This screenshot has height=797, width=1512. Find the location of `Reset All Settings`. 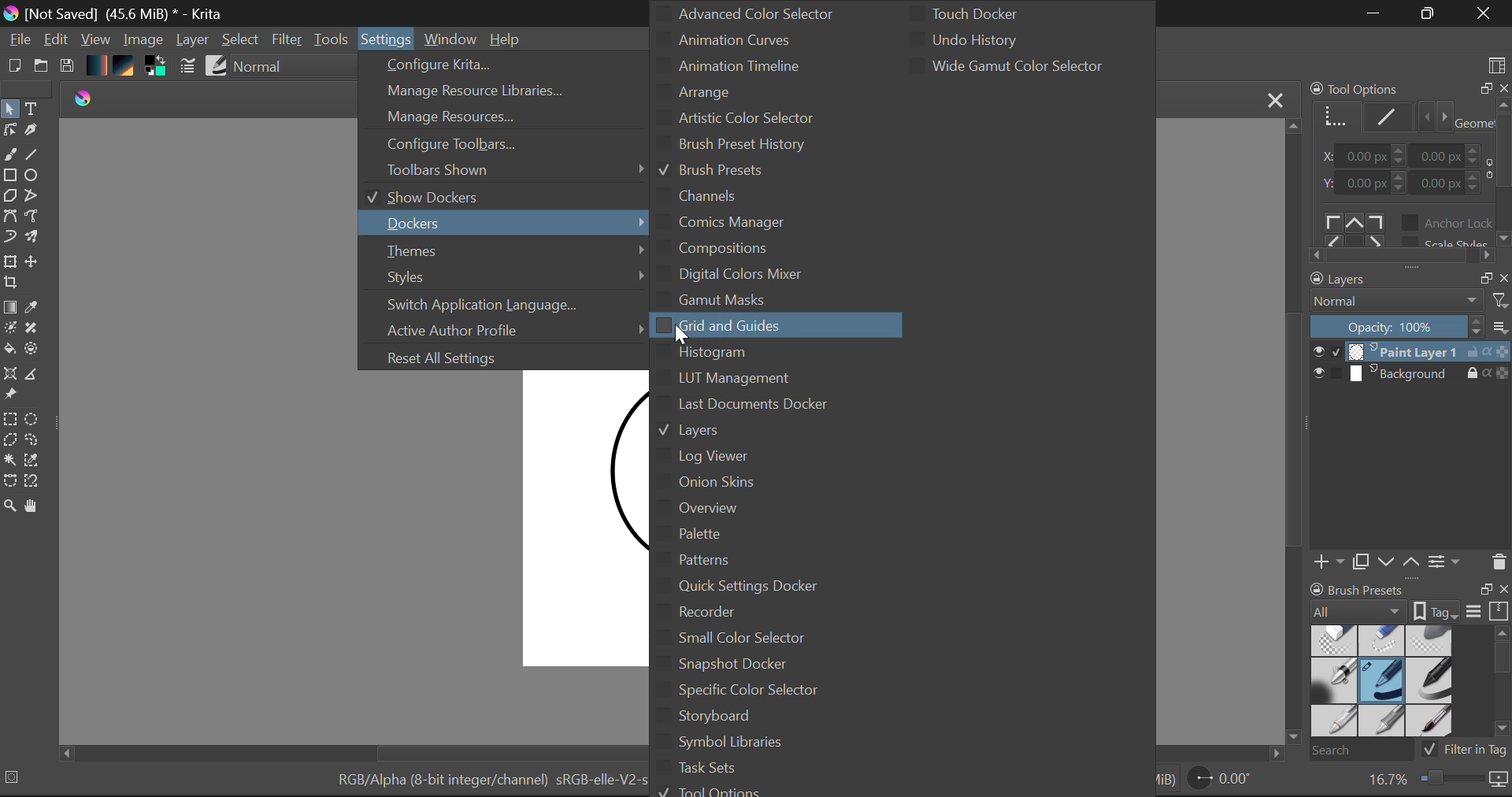

Reset All Settings is located at coordinates (499, 358).